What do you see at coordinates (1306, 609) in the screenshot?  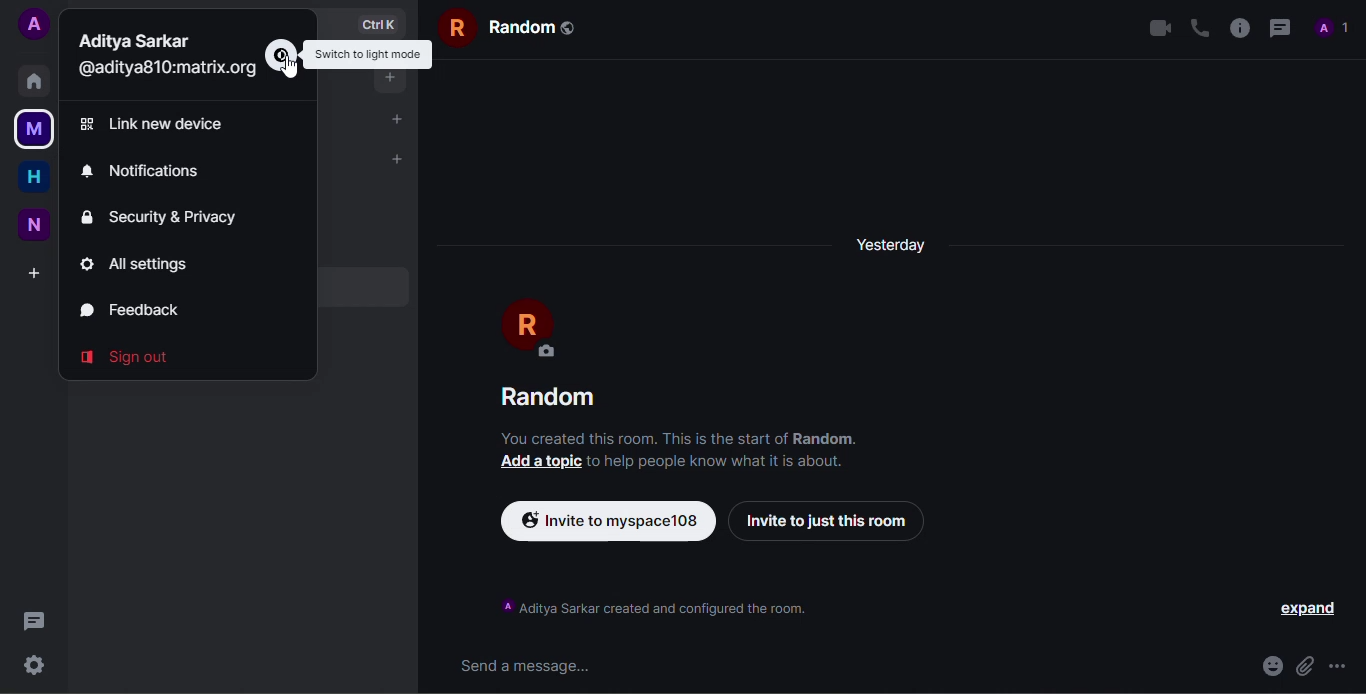 I see `expand` at bounding box center [1306, 609].